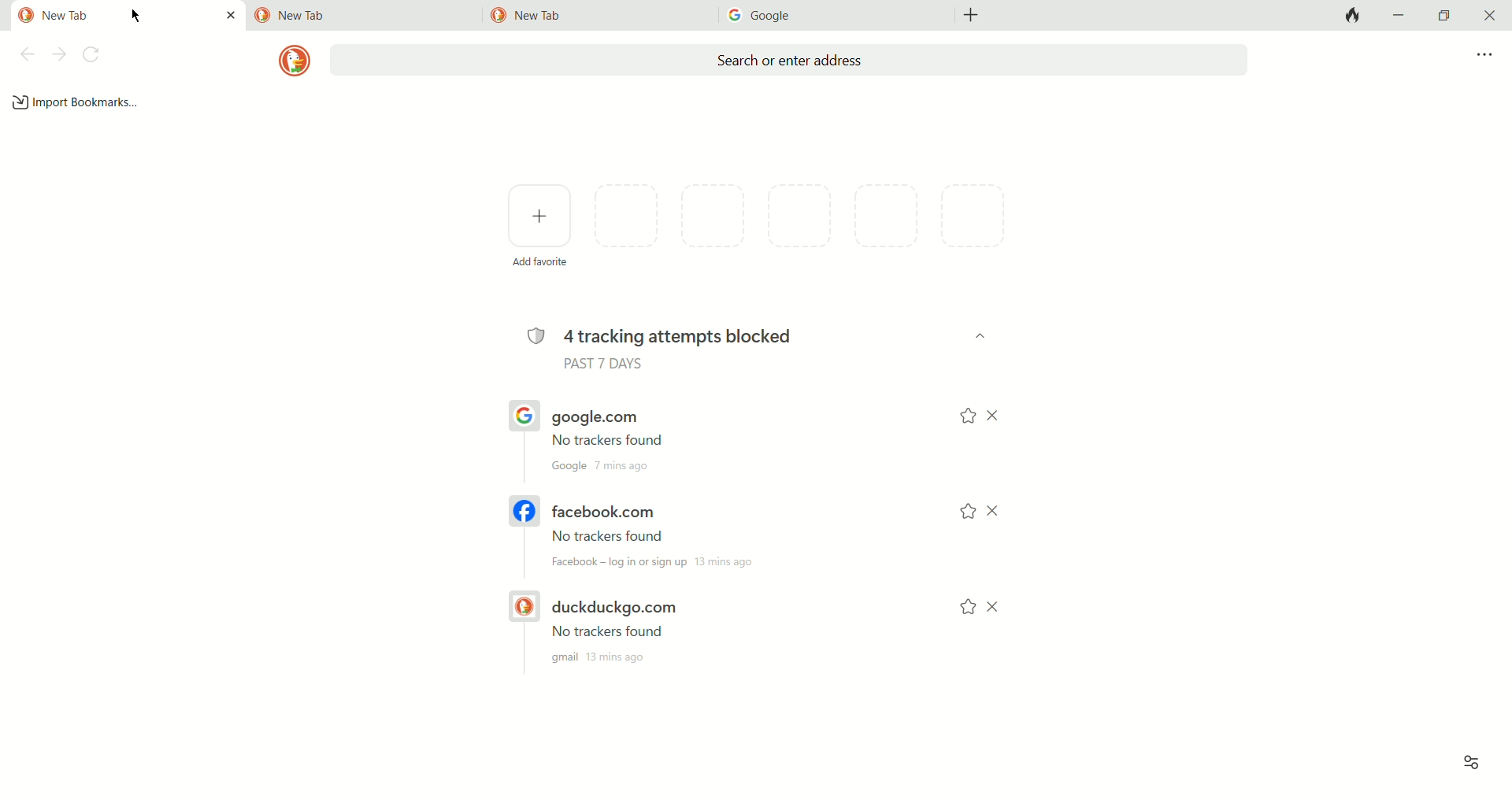 Image resolution: width=1512 pixels, height=803 pixels. What do you see at coordinates (535, 227) in the screenshot?
I see `add favorites` at bounding box center [535, 227].